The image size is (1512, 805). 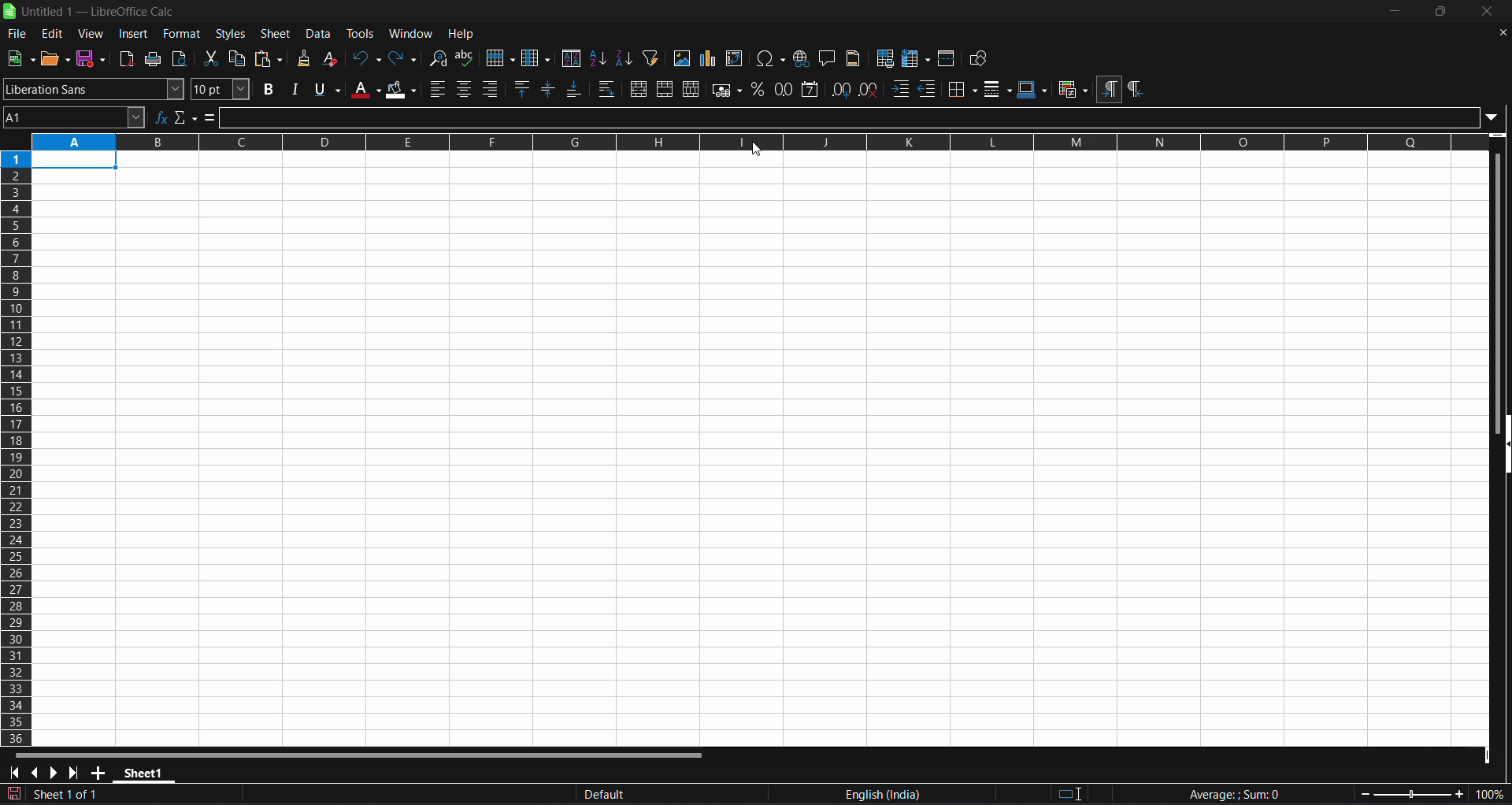 I want to click on rows, so click(x=754, y=141).